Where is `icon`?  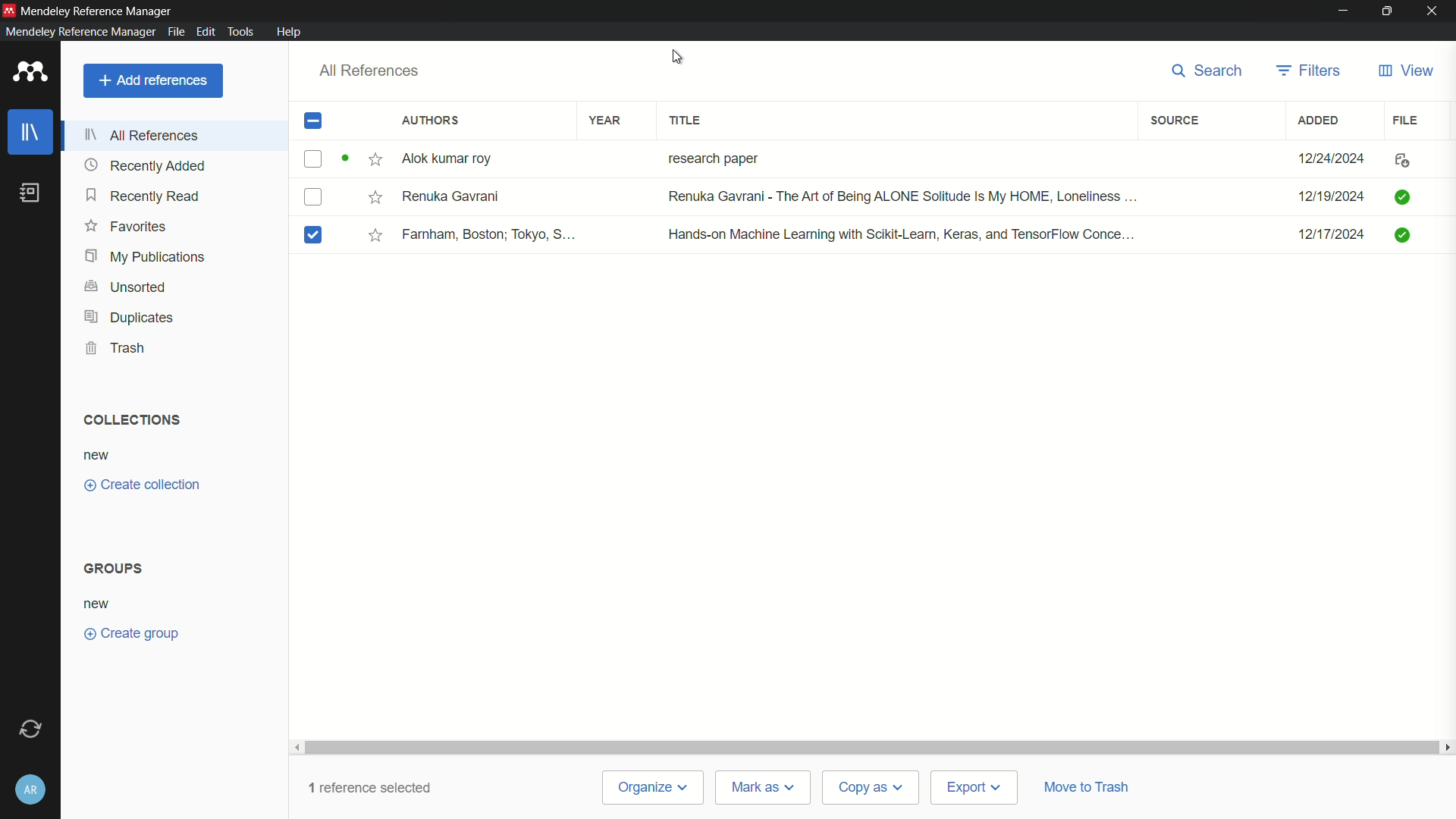 icon is located at coordinates (1401, 160).